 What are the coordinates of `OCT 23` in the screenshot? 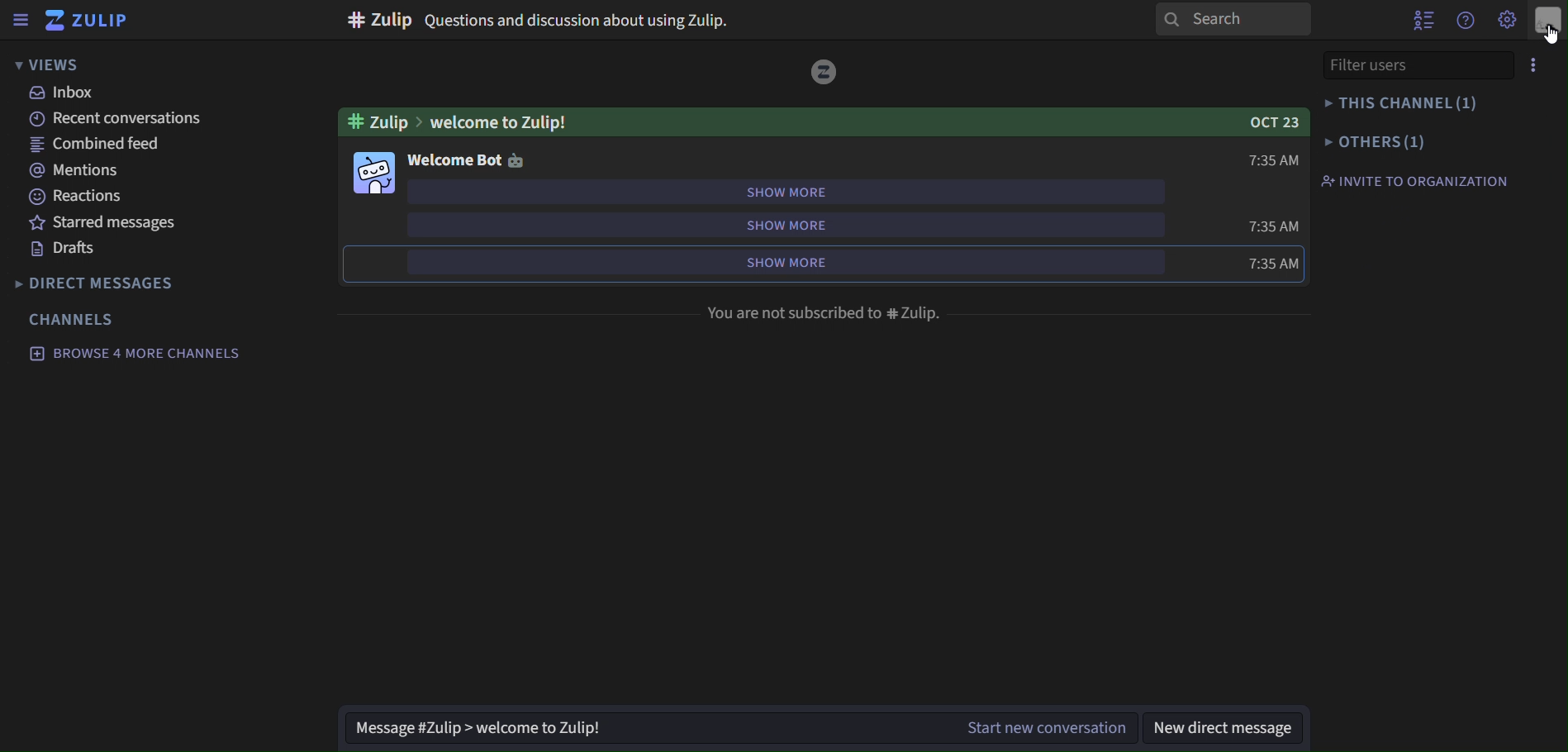 It's located at (1268, 122).